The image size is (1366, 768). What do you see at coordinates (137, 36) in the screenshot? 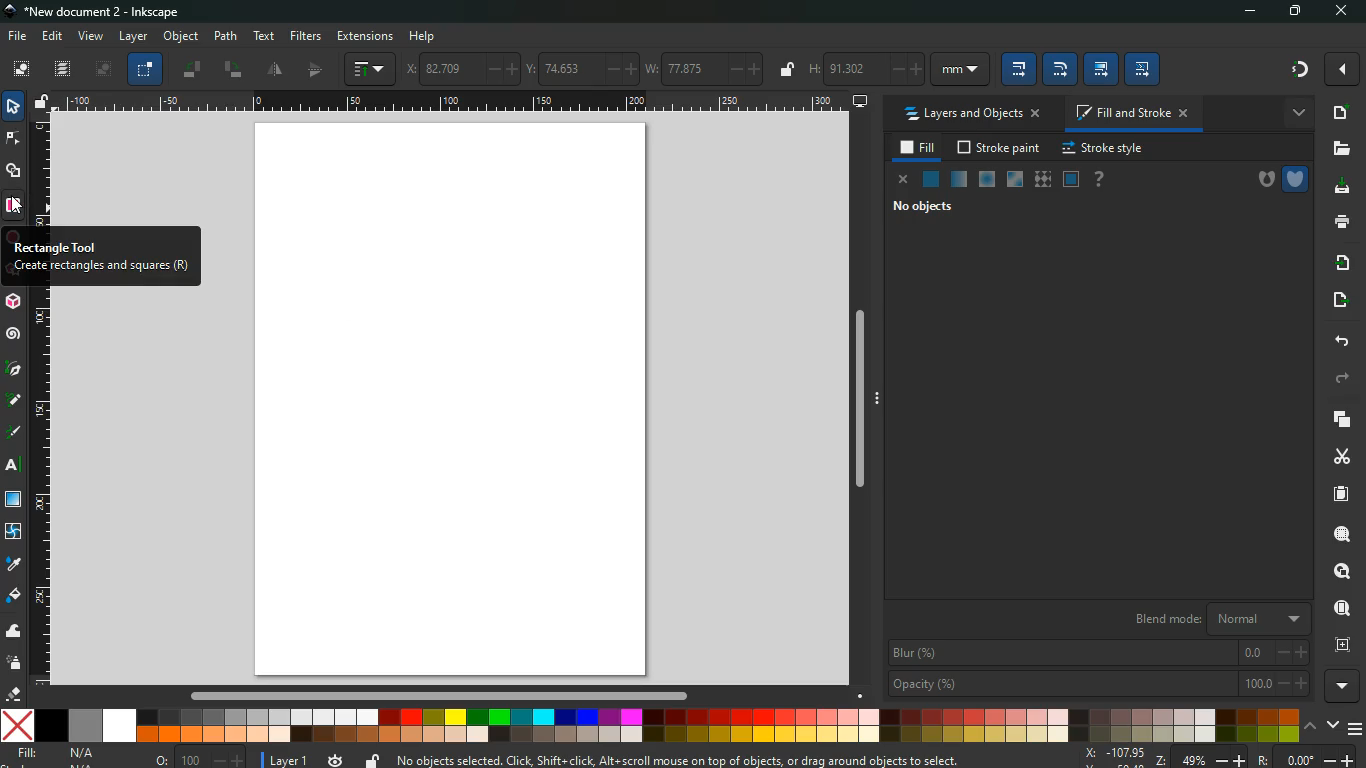
I see `layer` at bounding box center [137, 36].